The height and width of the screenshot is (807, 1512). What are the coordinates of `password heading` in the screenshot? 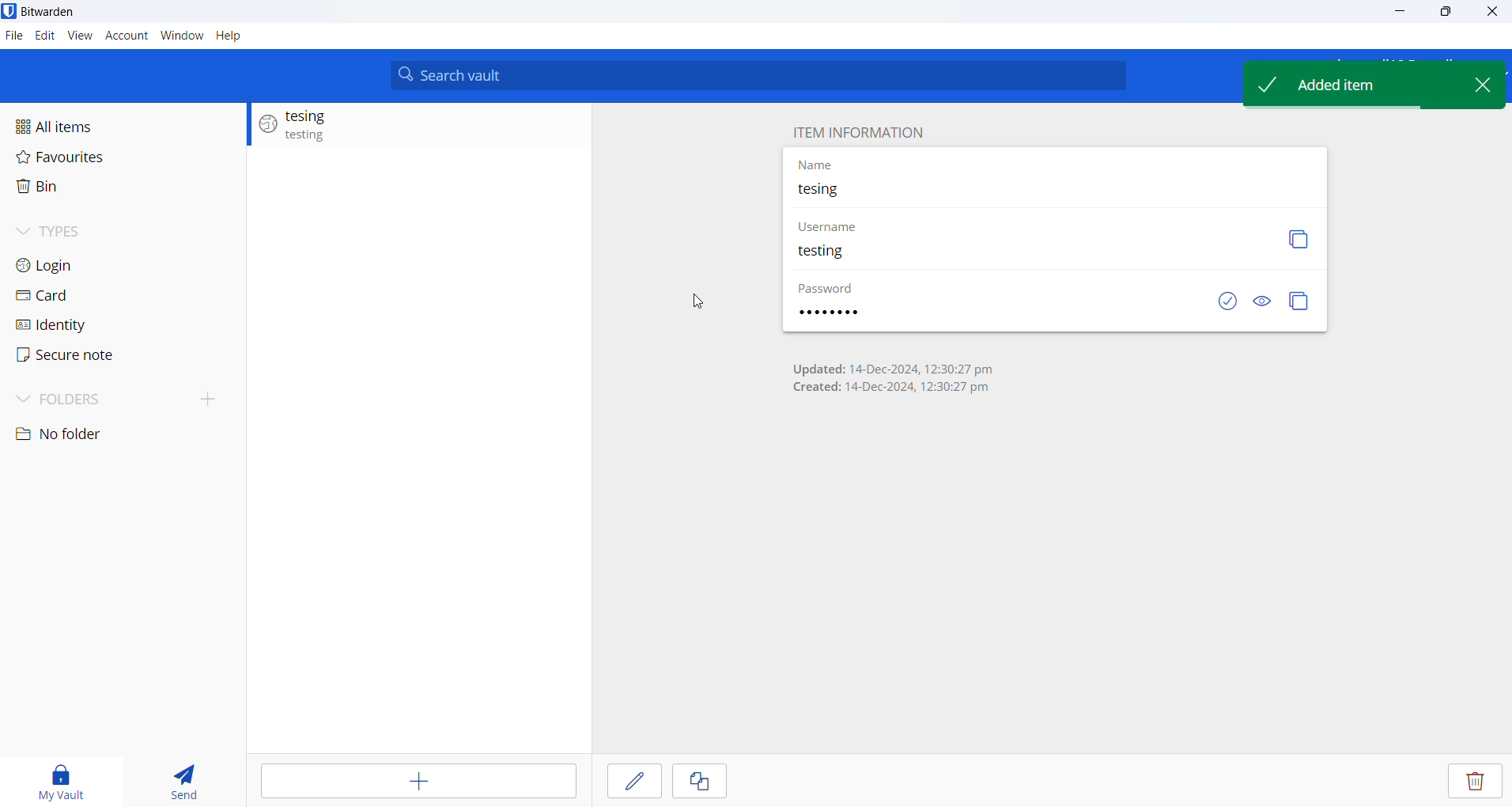 It's located at (846, 288).